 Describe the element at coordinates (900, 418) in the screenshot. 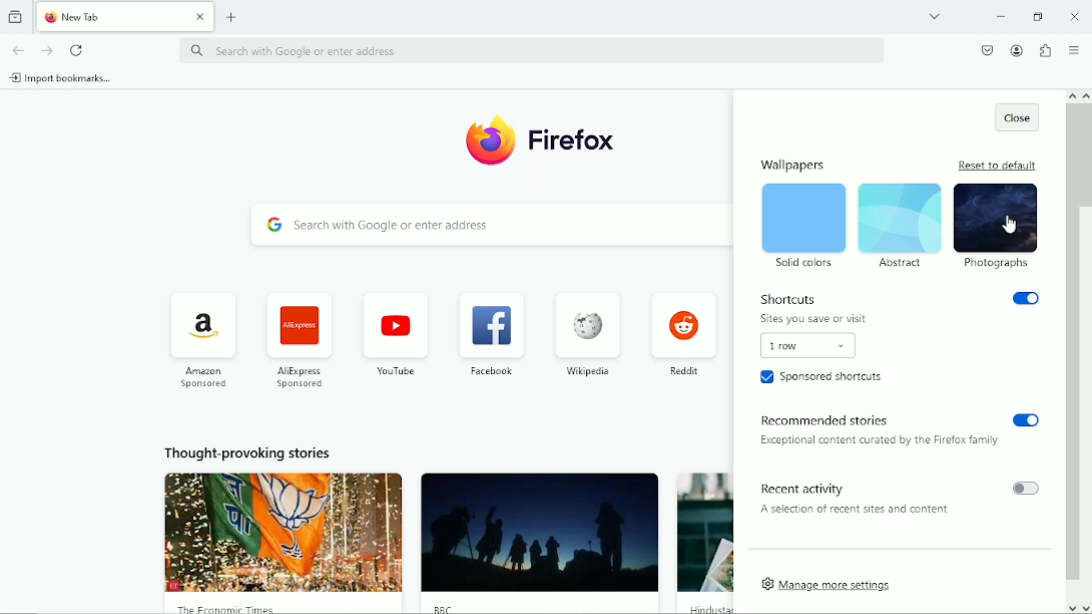

I see `recommended stories` at that location.